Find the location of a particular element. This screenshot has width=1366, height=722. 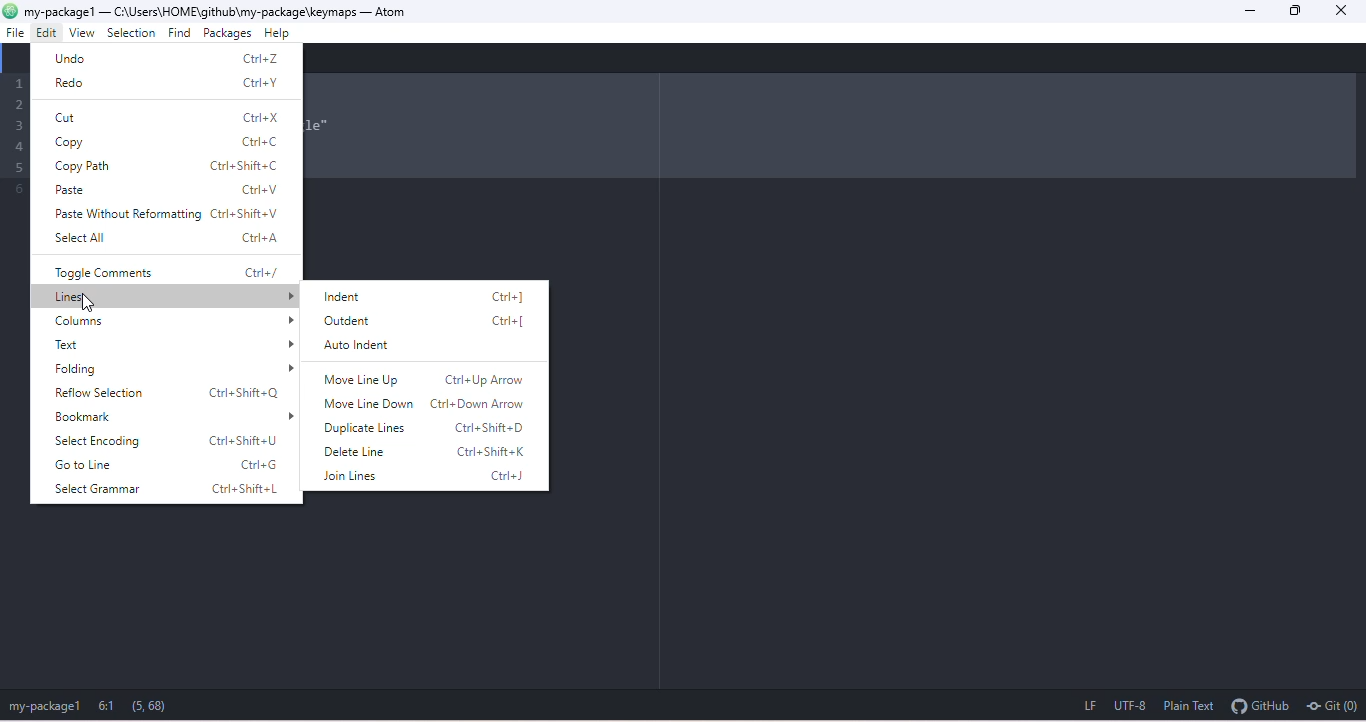

find is located at coordinates (178, 32).